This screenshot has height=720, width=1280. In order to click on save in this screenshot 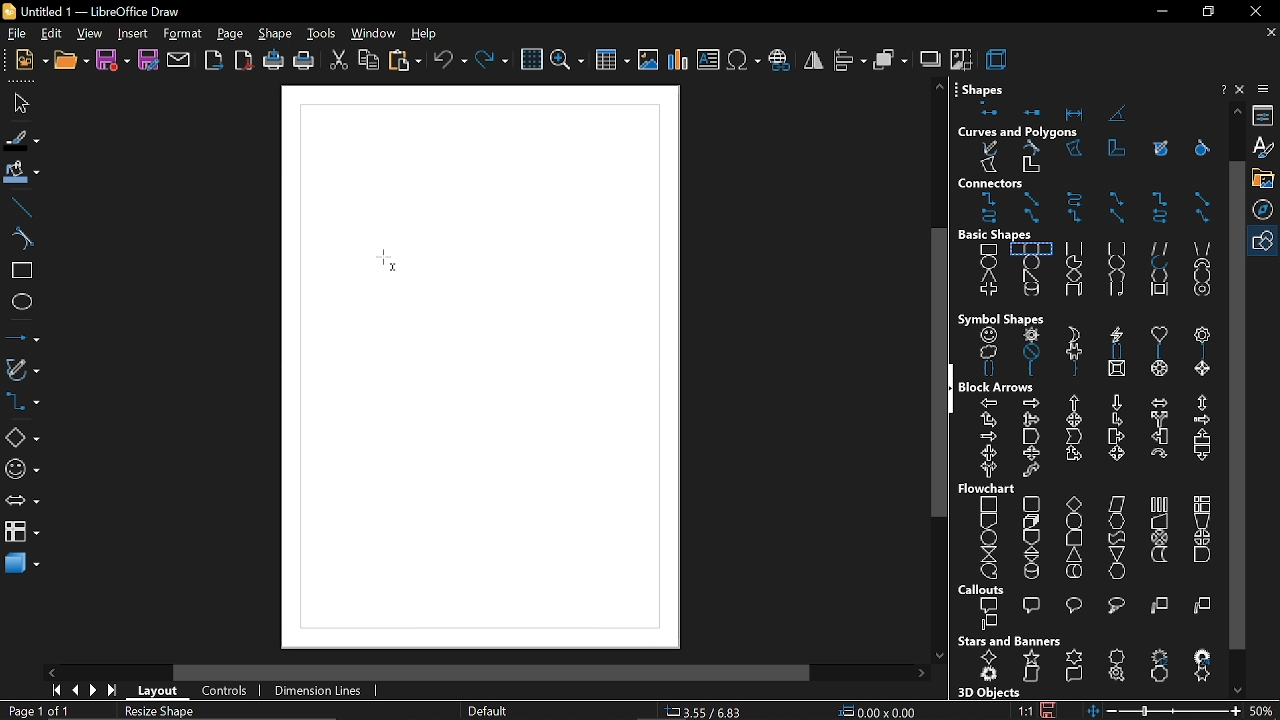, I will do `click(1048, 708)`.